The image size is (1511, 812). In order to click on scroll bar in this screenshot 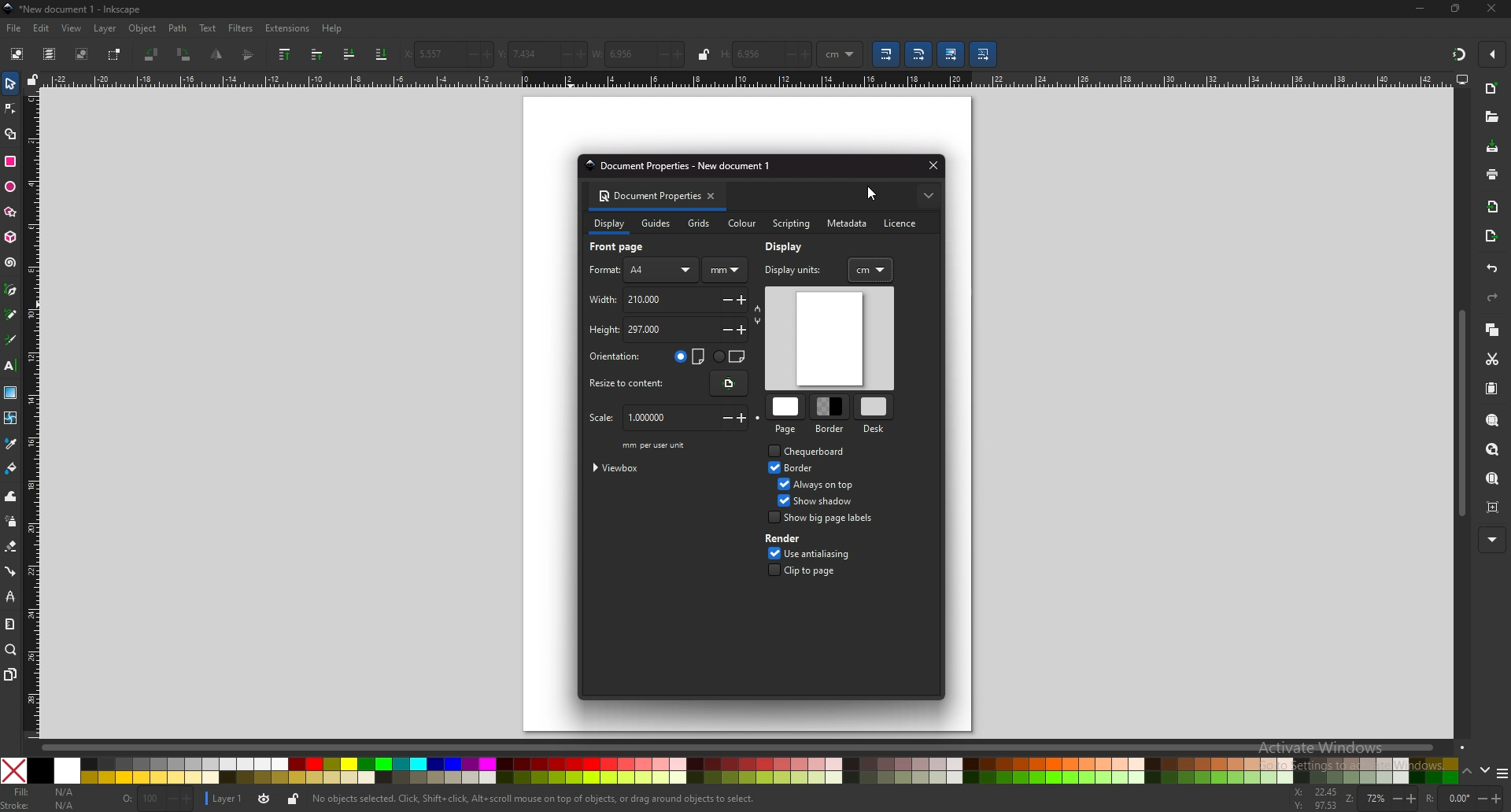, I will do `click(756, 746)`.